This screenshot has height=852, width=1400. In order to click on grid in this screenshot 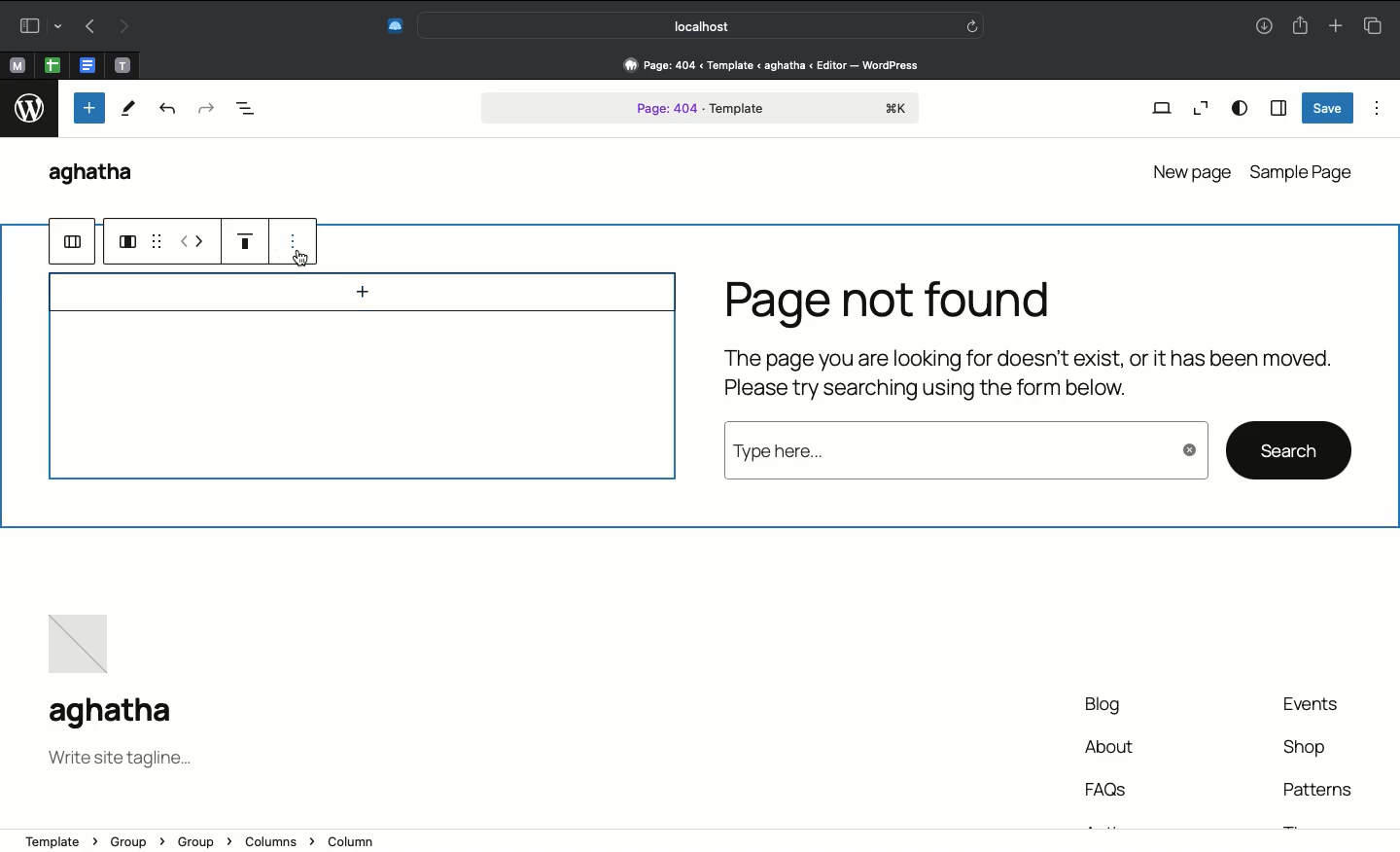, I will do `click(156, 241)`.